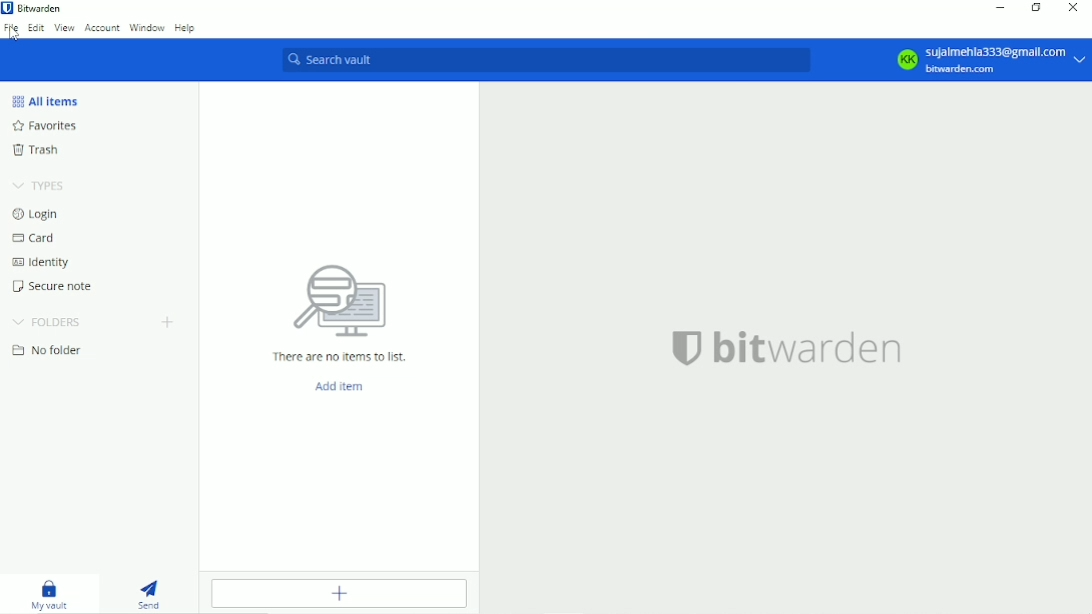 The image size is (1092, 614). I want to click on Secure note, so click(58, 286).